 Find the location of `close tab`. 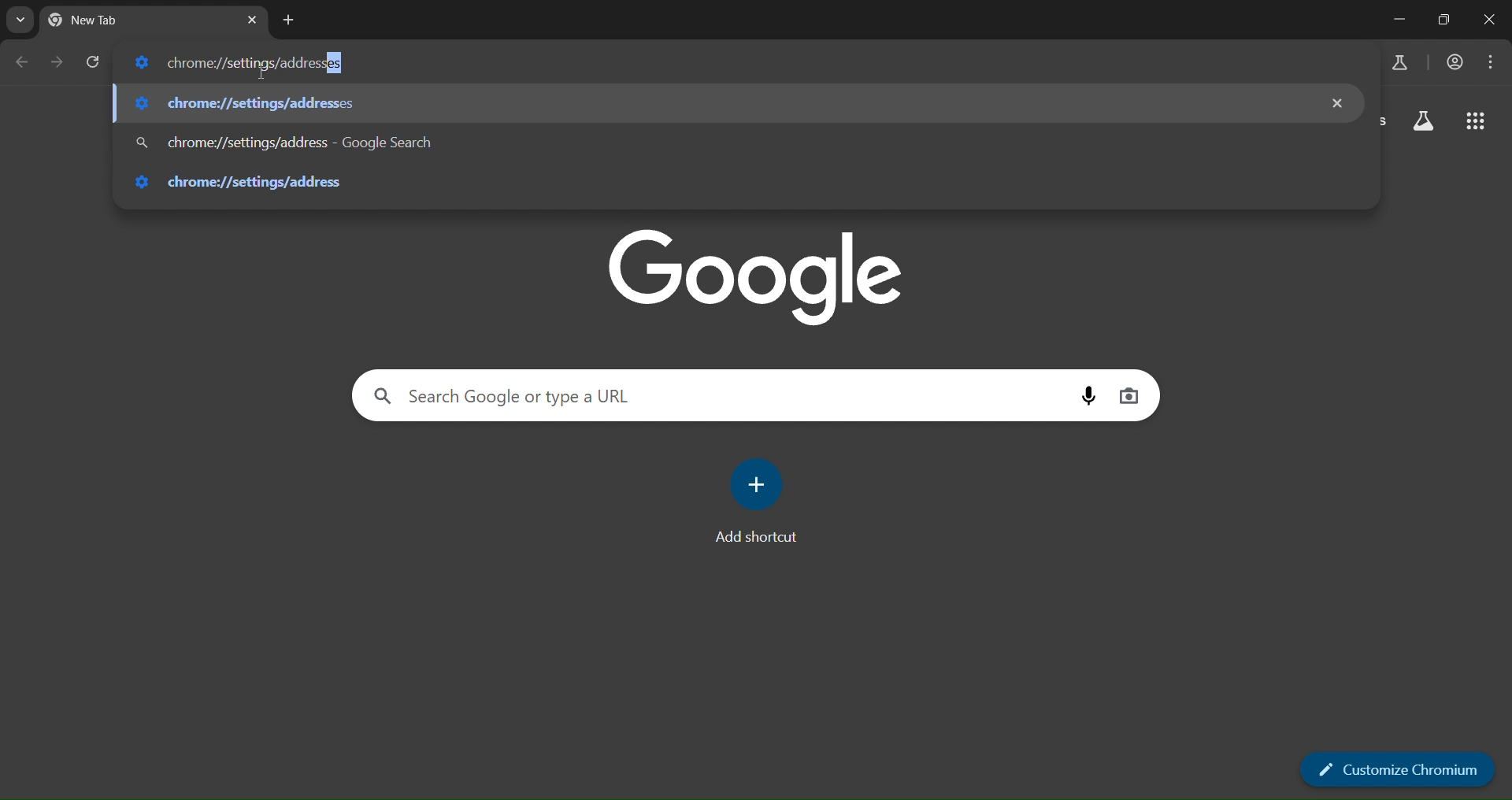

close tab is located at coordinates (252, 21).